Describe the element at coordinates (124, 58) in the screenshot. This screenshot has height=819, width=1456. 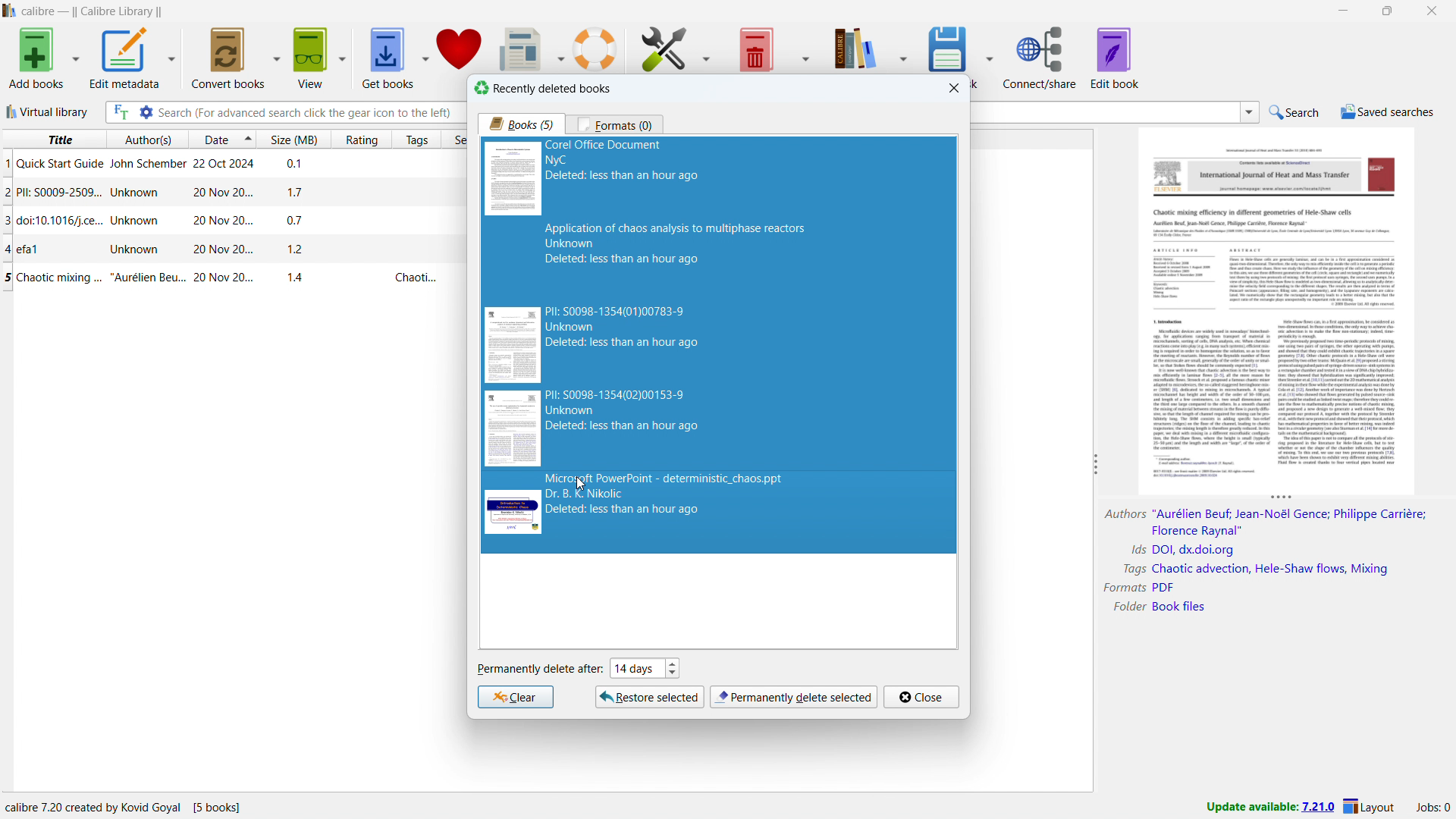
I see `edit metadata` at that location.